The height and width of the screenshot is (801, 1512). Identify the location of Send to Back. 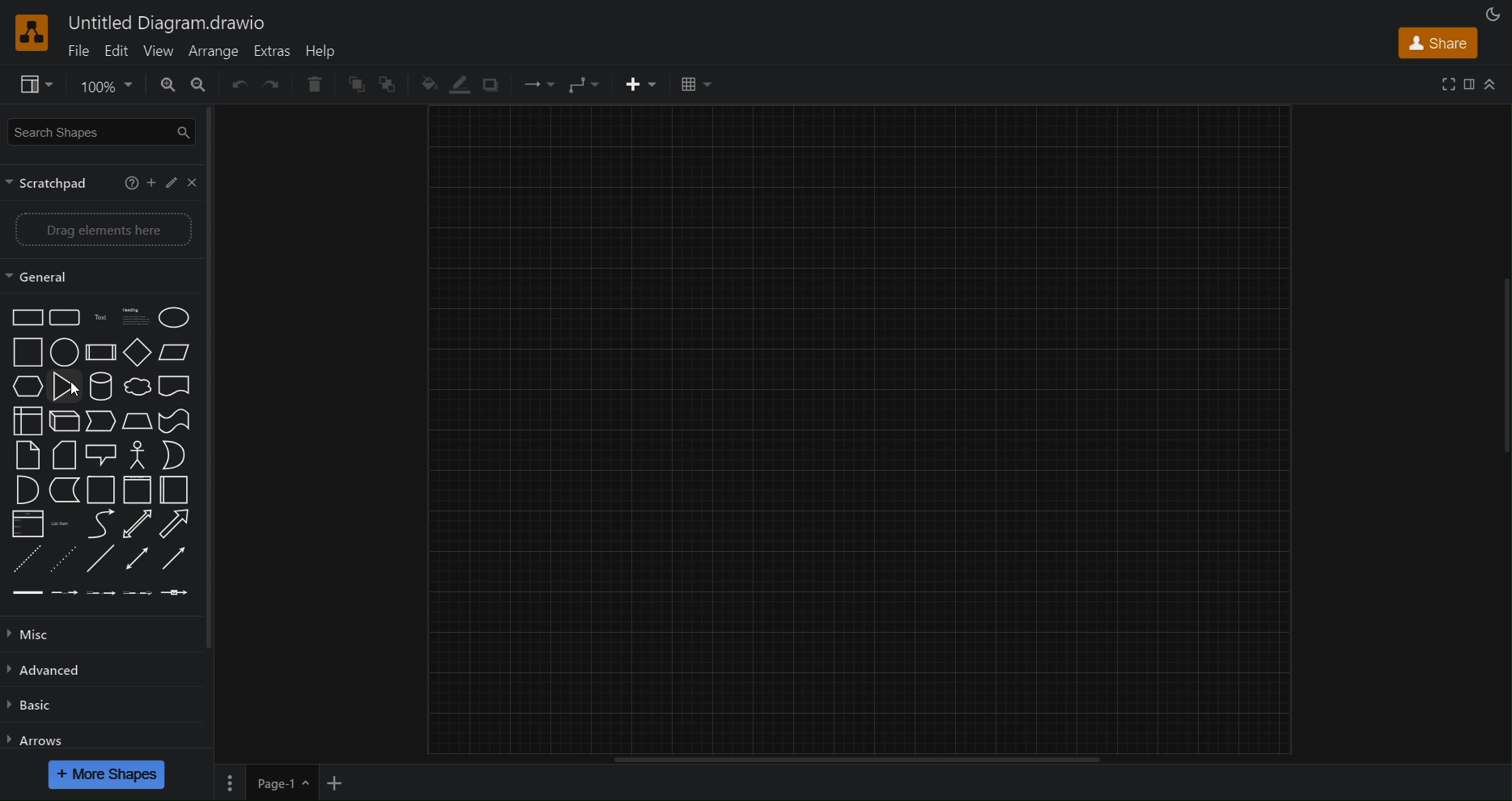
(393, 85).